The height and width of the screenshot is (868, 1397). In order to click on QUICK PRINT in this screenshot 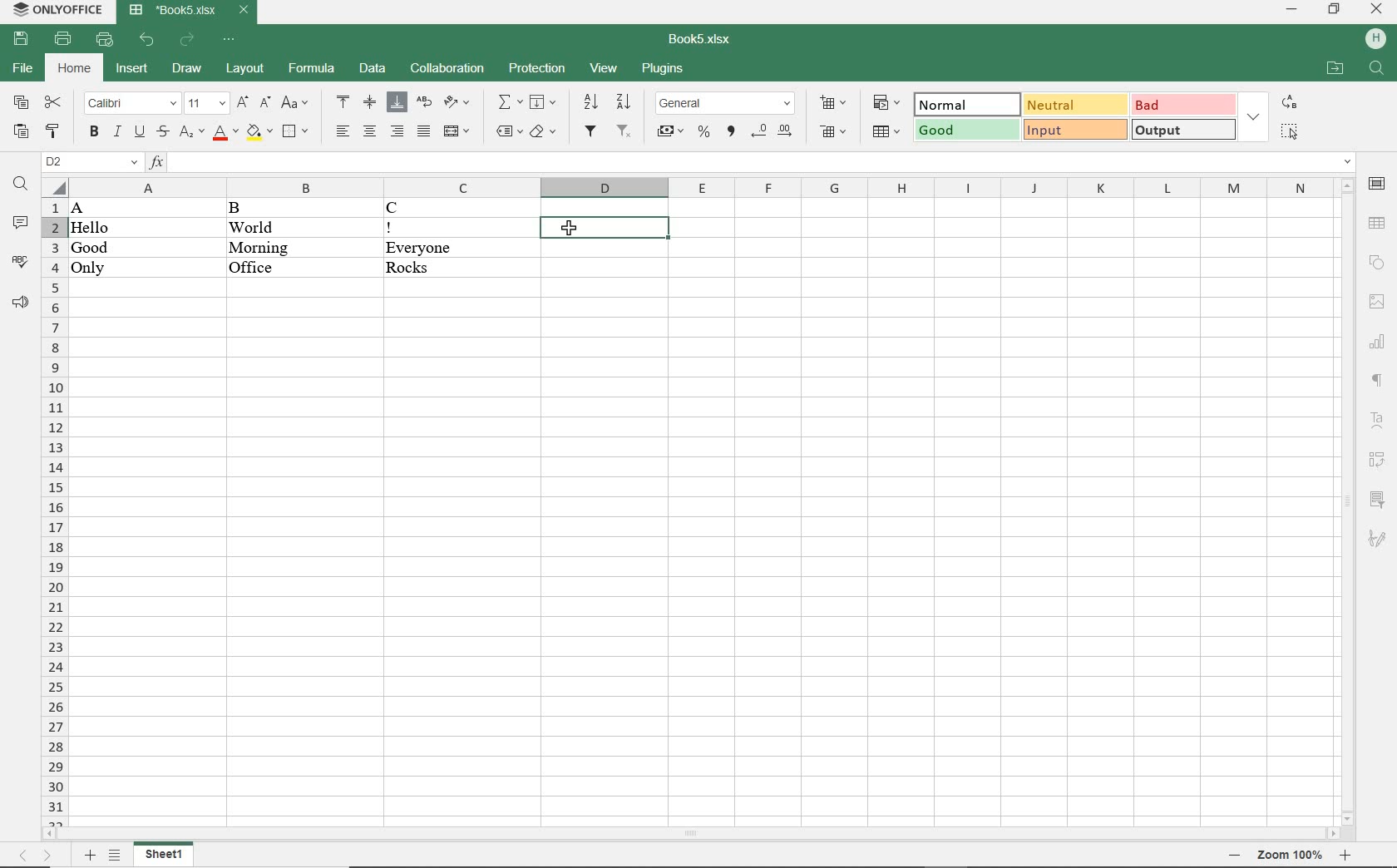, I will do `click(107, 40)`.